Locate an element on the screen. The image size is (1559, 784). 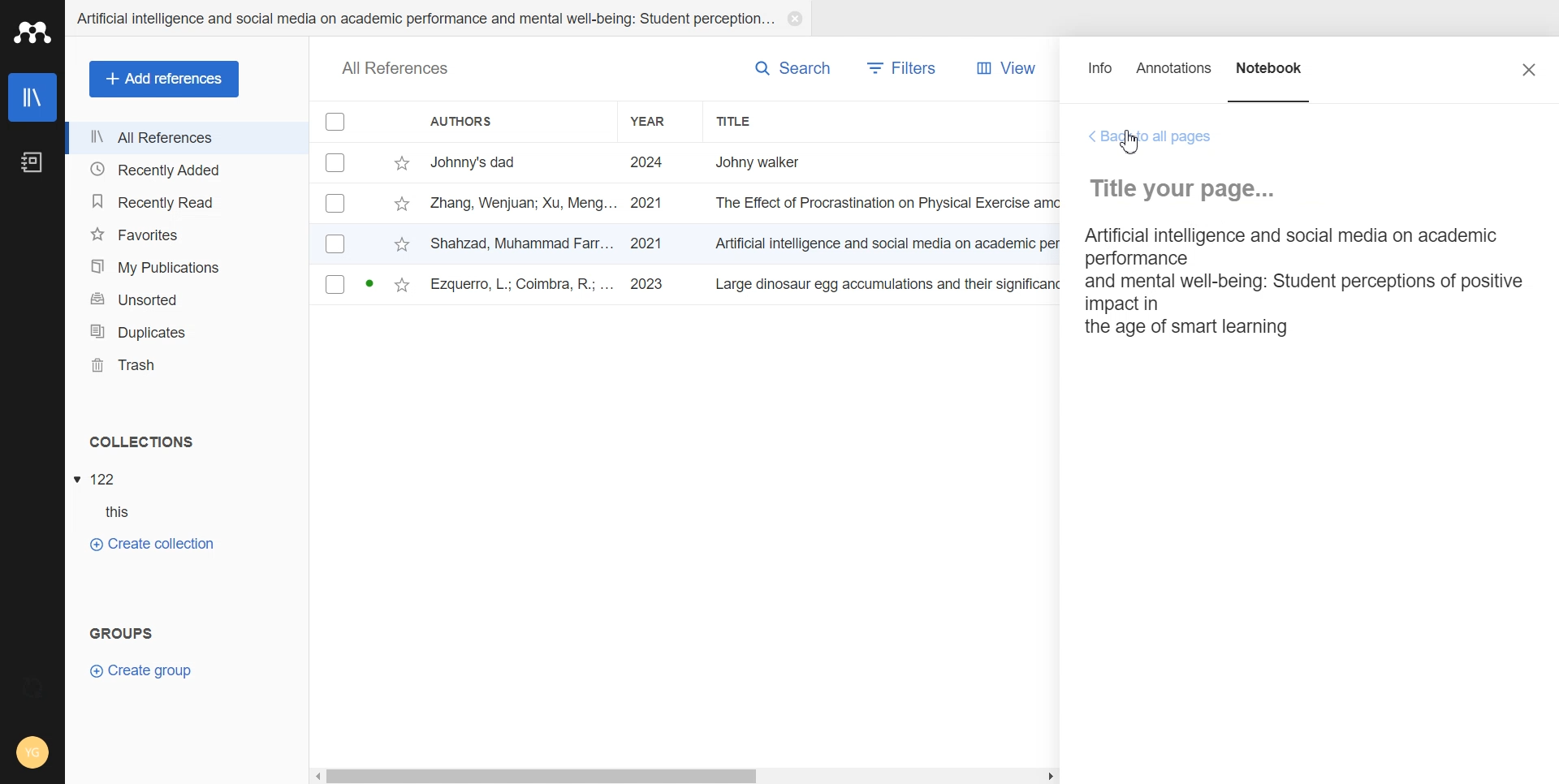
All References is located at coordinates (187, 138).